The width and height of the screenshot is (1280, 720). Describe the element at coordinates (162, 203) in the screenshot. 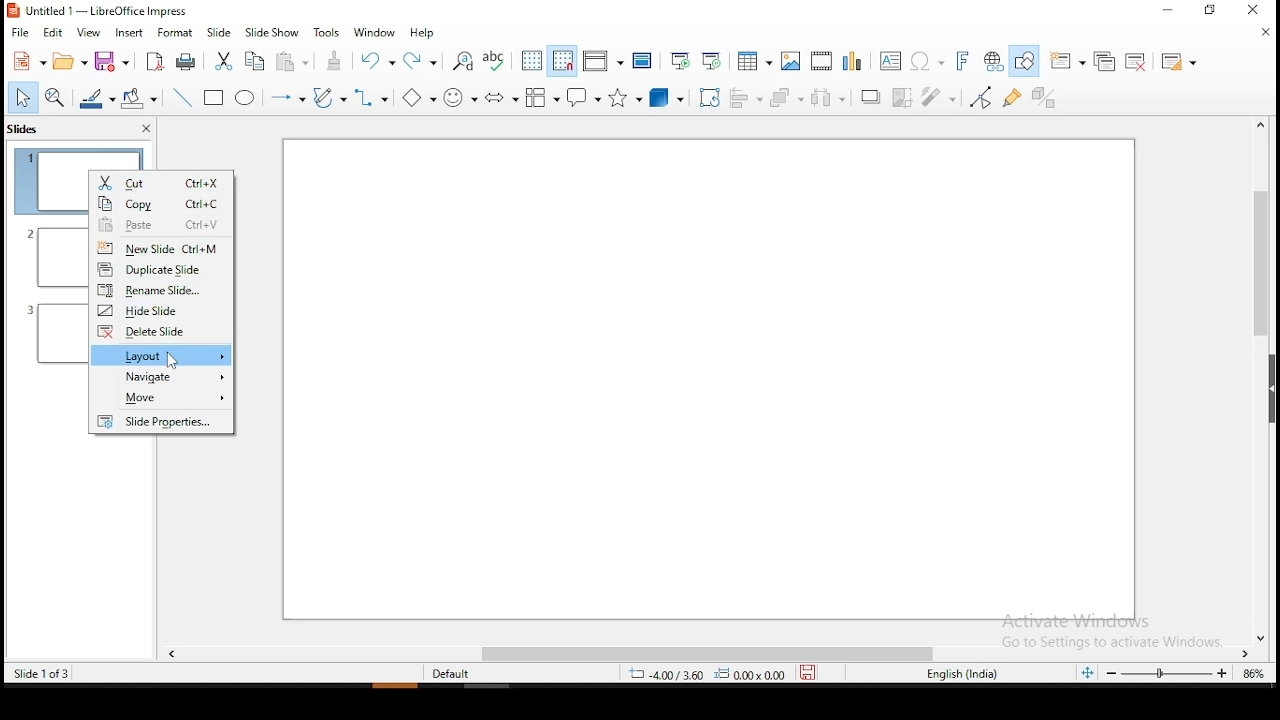

I see `copy` at that location.